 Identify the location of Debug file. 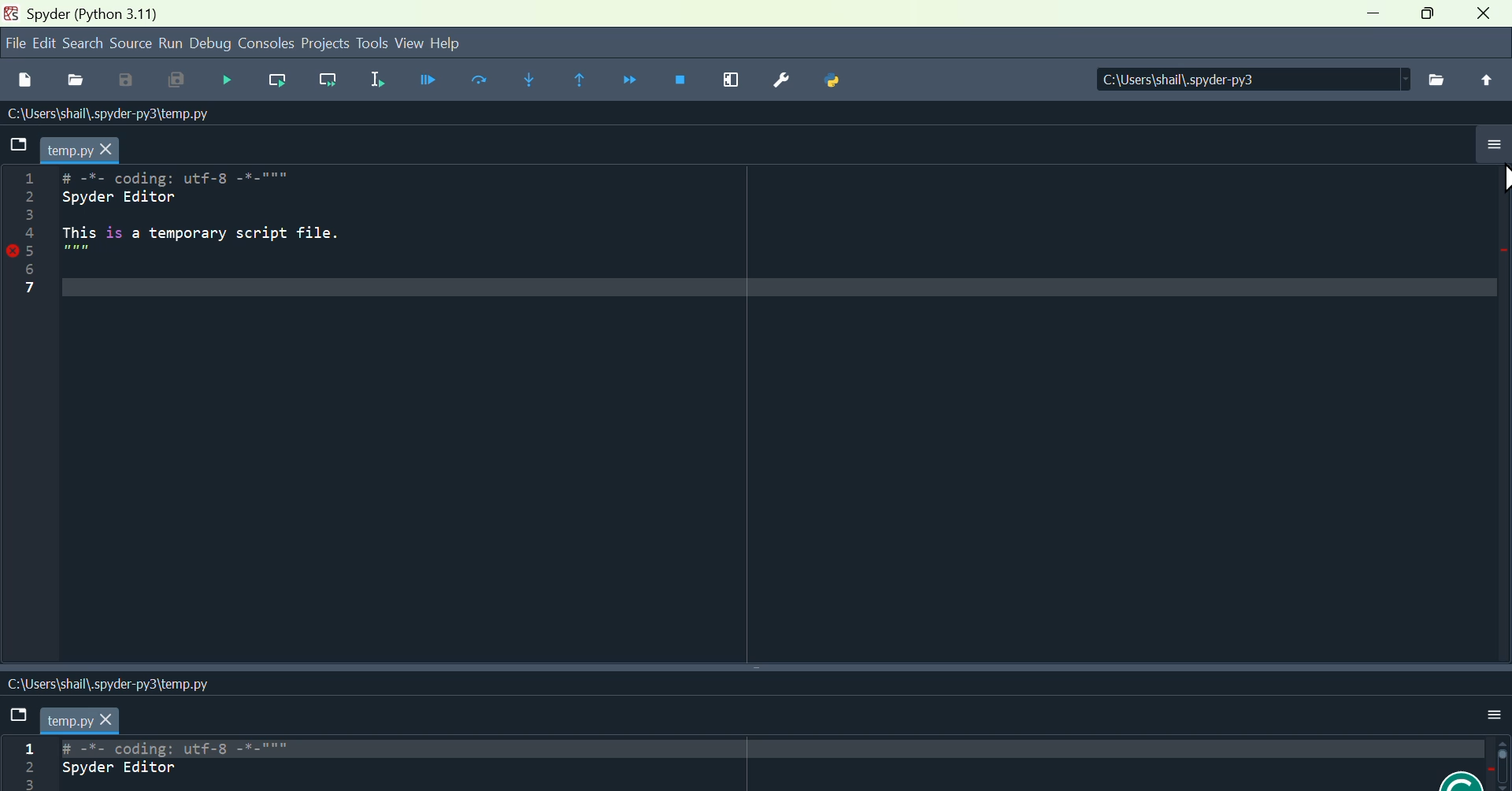
(231, 81).